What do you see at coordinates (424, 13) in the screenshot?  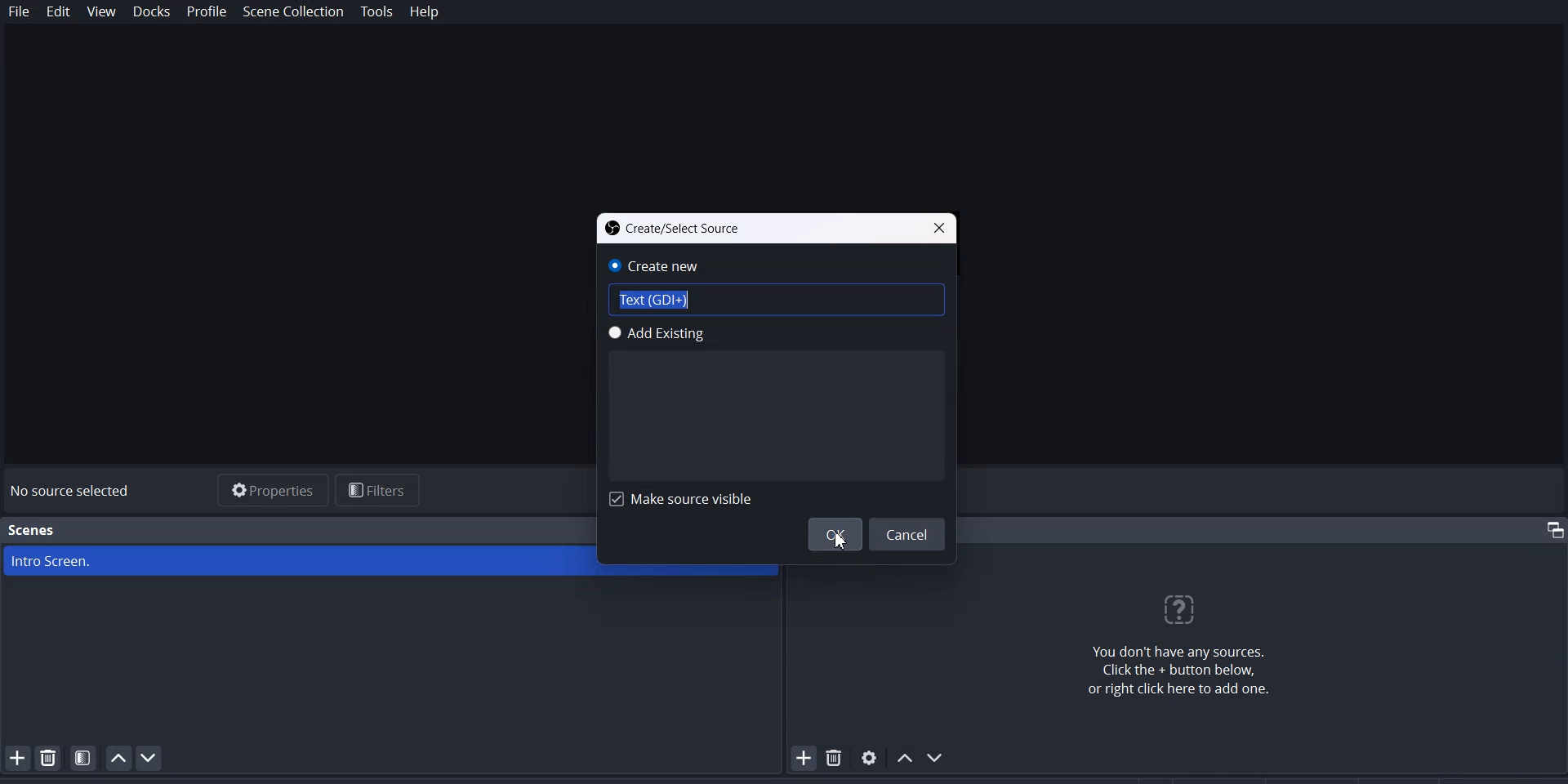 I see `Help` at bounding box center [424, 13].